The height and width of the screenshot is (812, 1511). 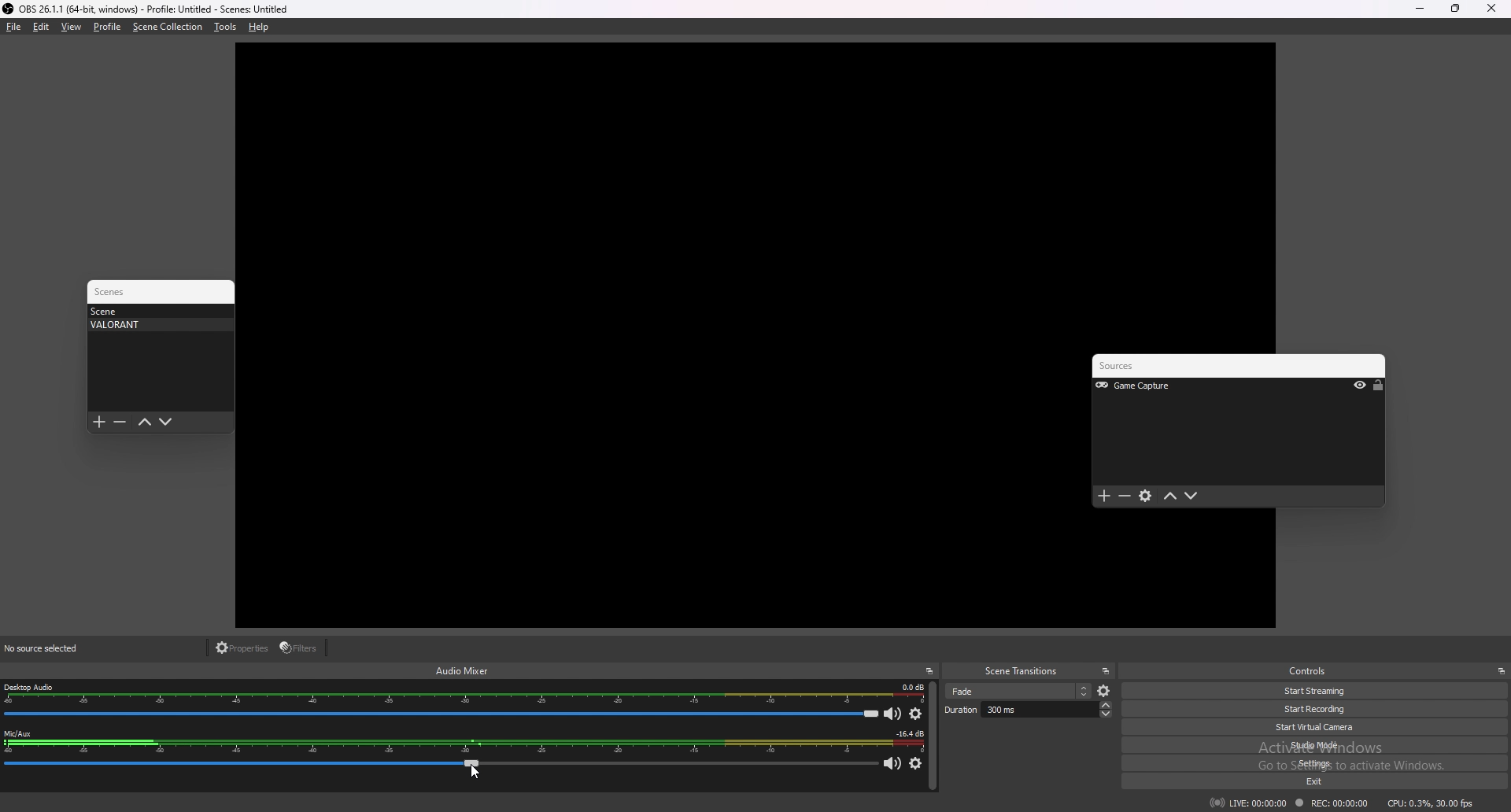 What do you see at coordinates (116, 292) in the screenshot?
I see `scenes` at bounding box center [116, 292].